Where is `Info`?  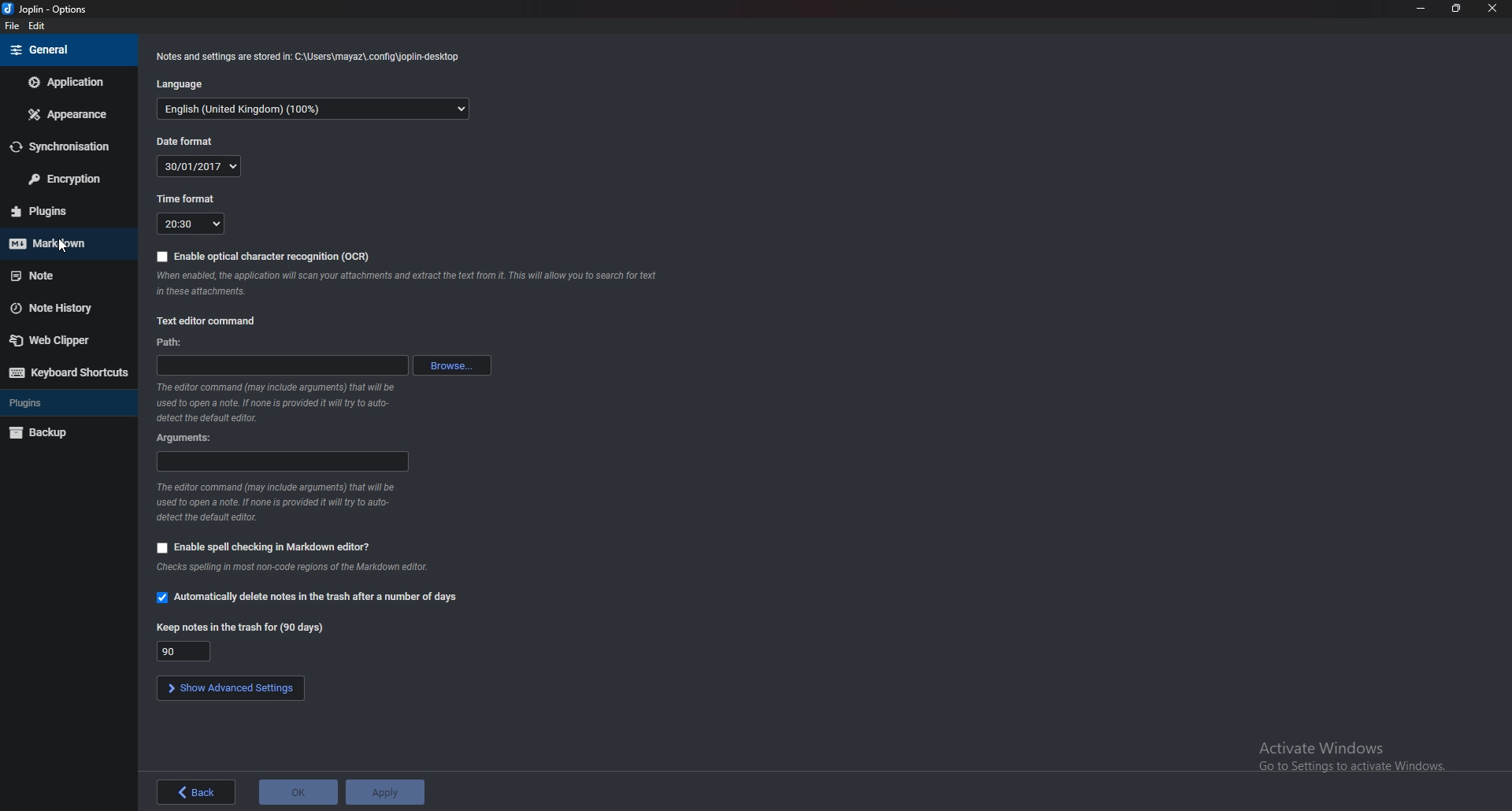
Info is located at coordinates (281, 403).